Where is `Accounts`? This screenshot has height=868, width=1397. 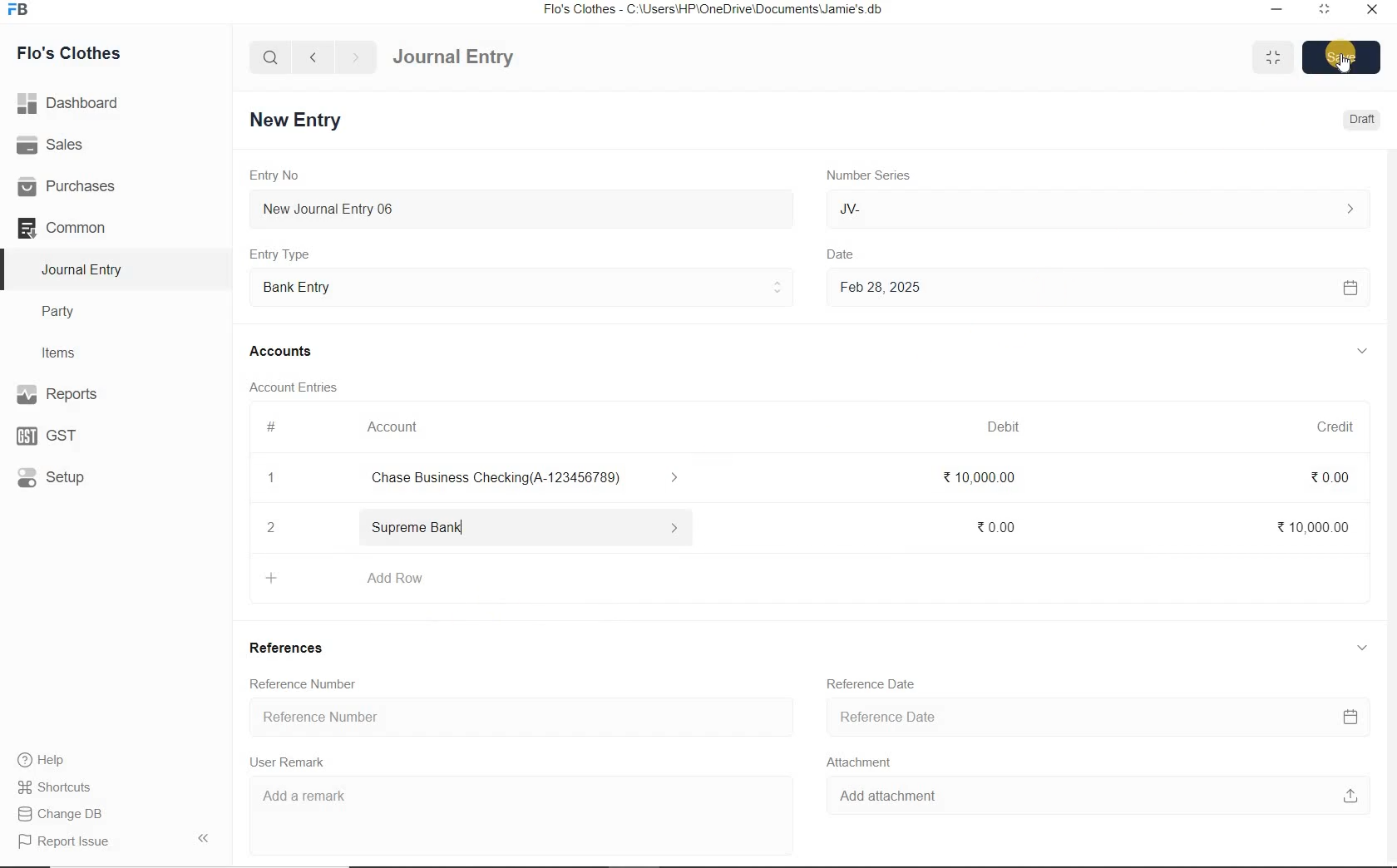 Accounts is located at coordinates (284, 351).